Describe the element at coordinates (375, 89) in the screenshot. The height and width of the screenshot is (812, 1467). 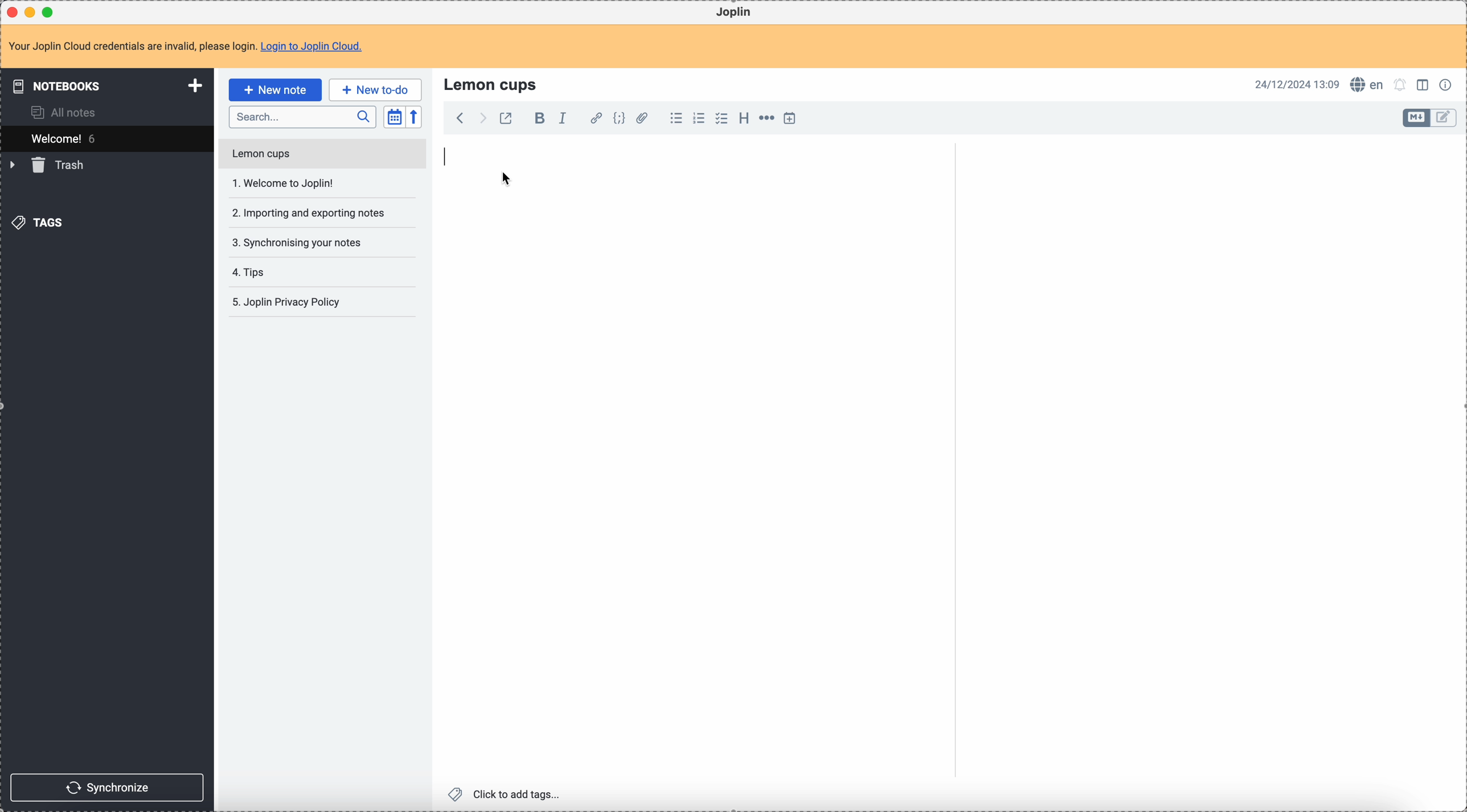
I see `new to-do` at that location.